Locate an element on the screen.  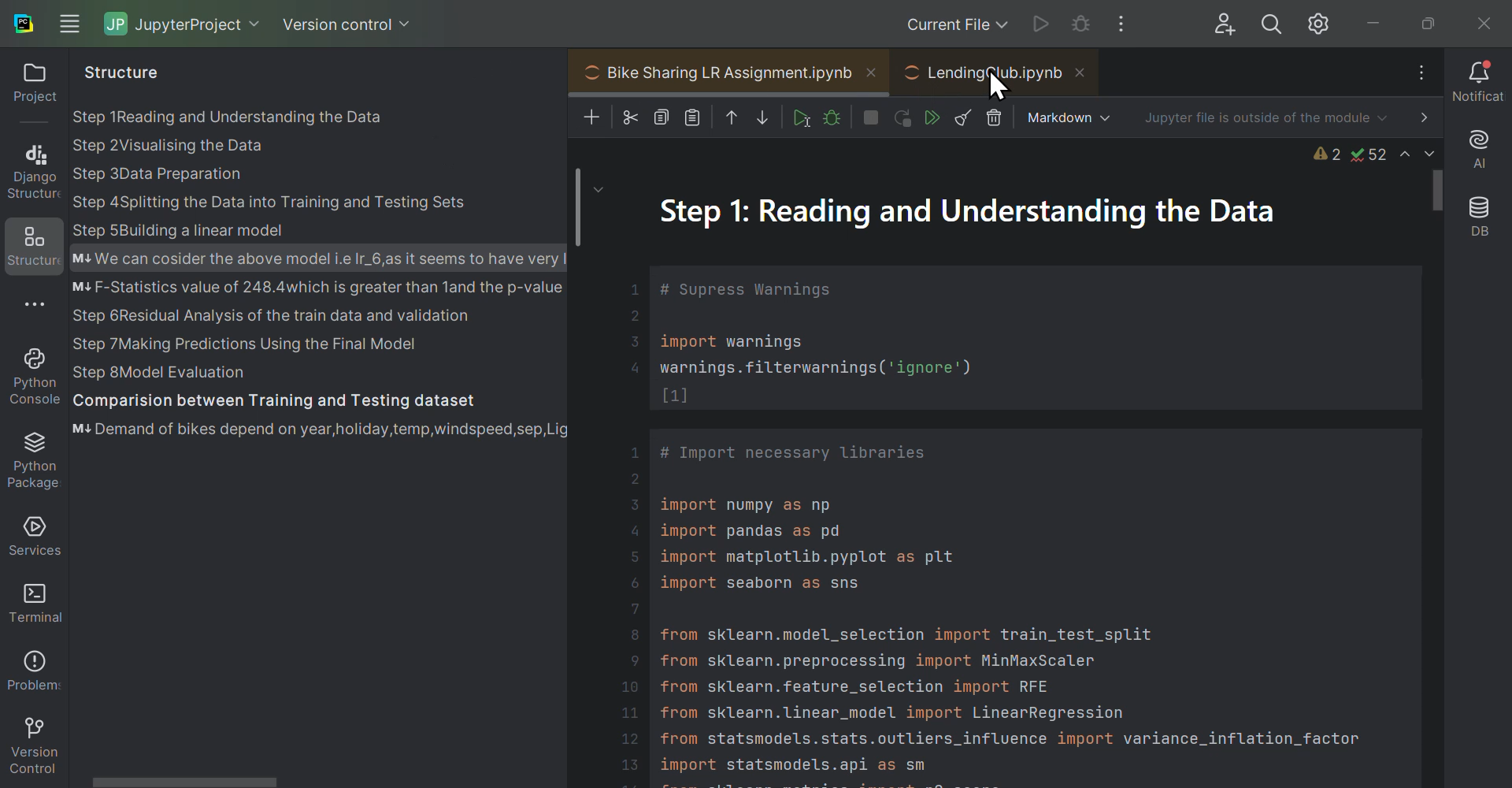
Interrupt Kernel is located at coordinates (873, 119).